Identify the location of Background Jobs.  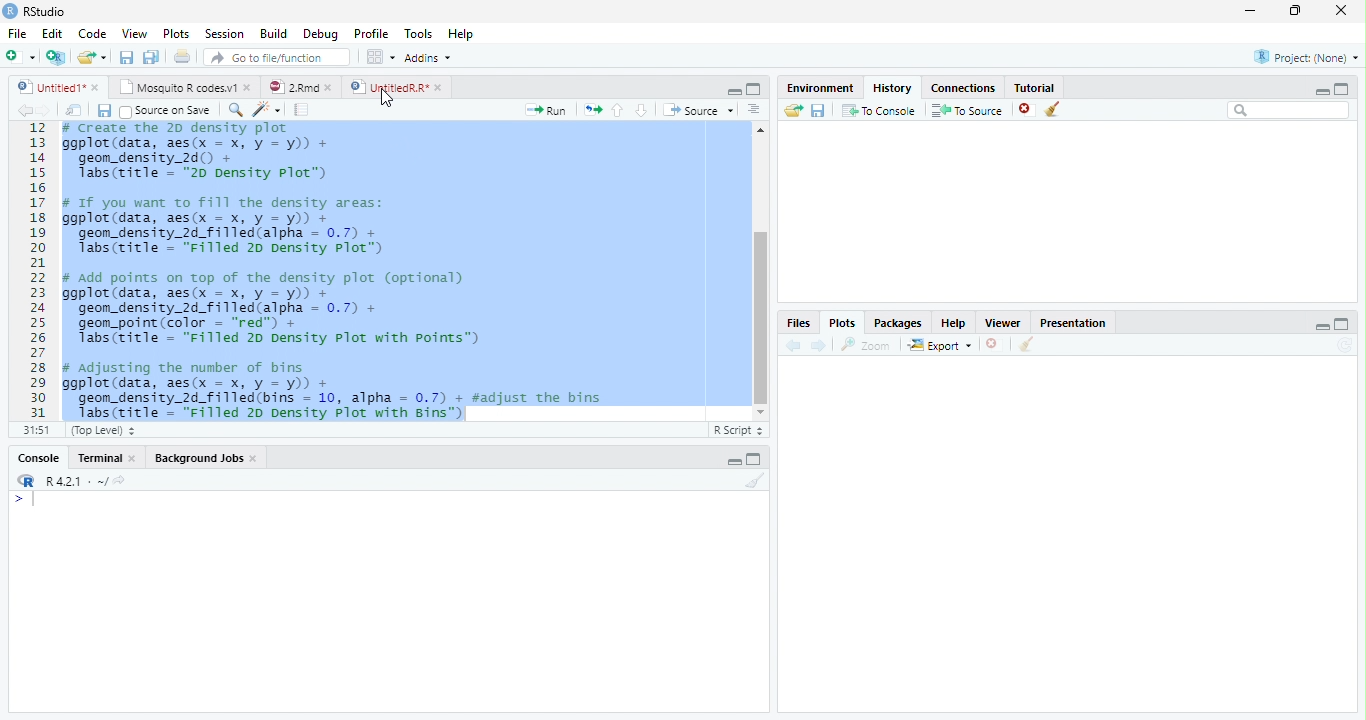
(200, 459).